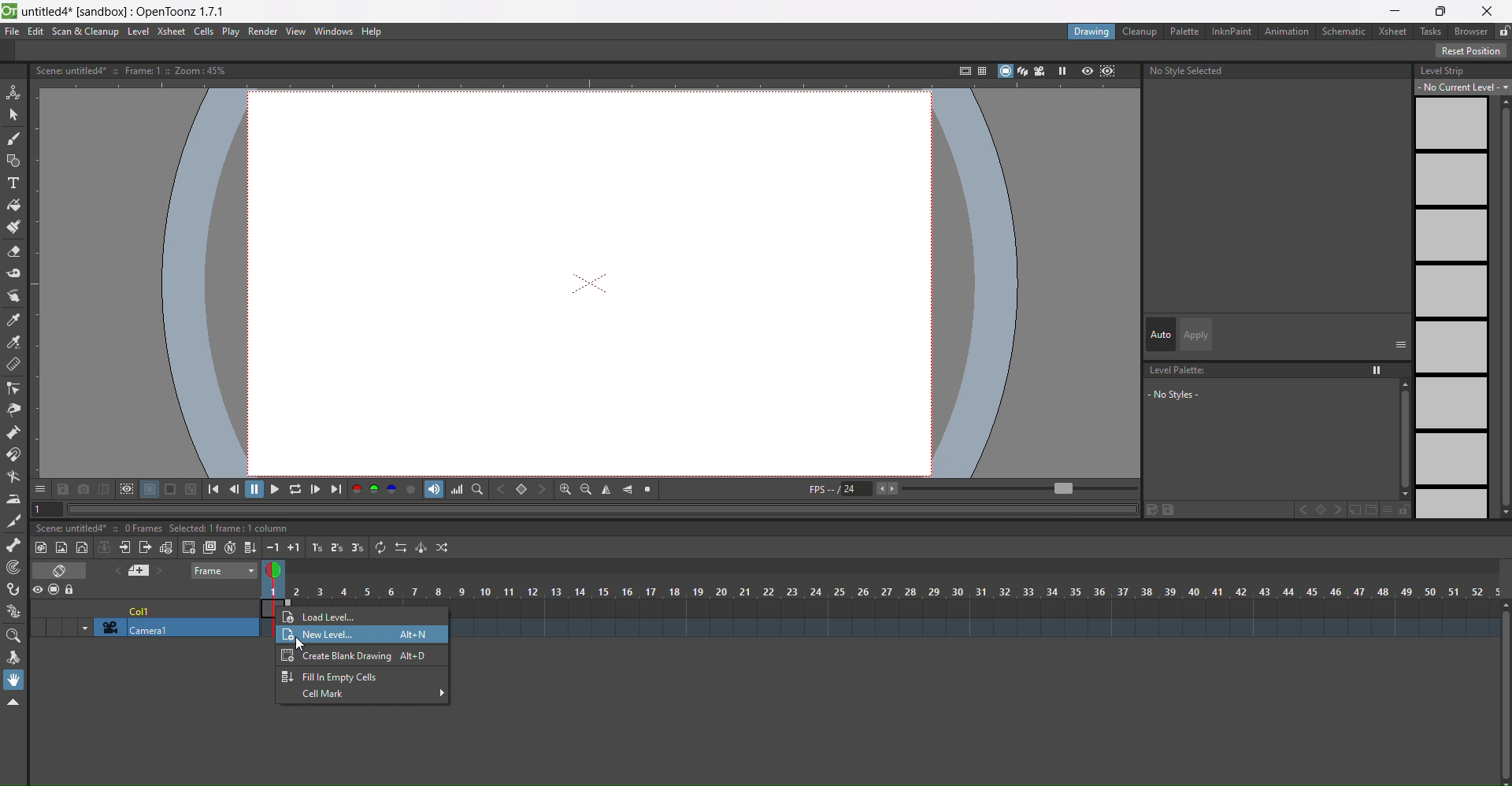 The image size is (1512, 786). Describe the element at coordinates (124, 547) in the screenshot. I see `open sub xsheet` at that location.